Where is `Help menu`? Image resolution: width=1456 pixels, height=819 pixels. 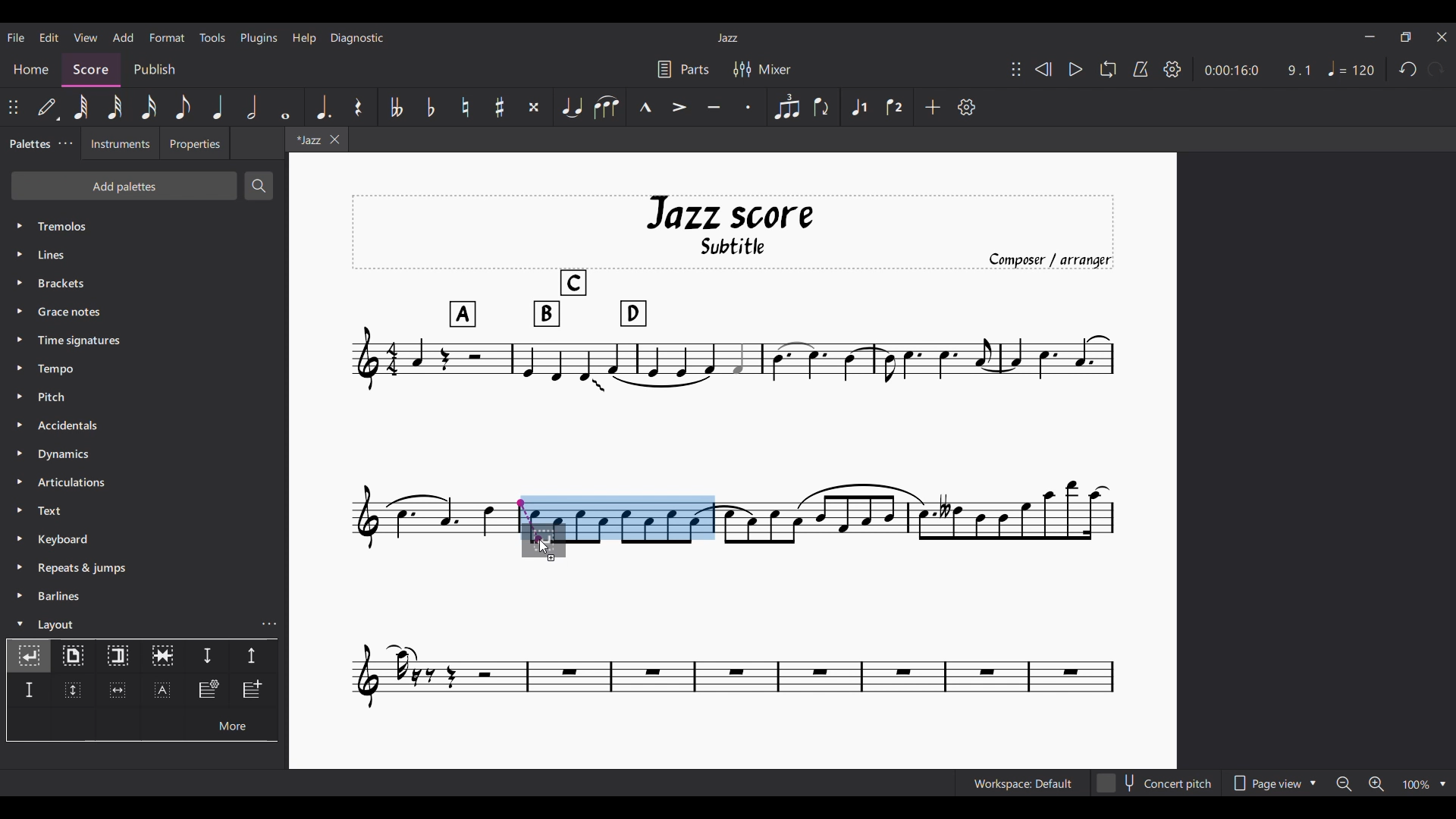
Help menu is located at coordinates (305, 39).